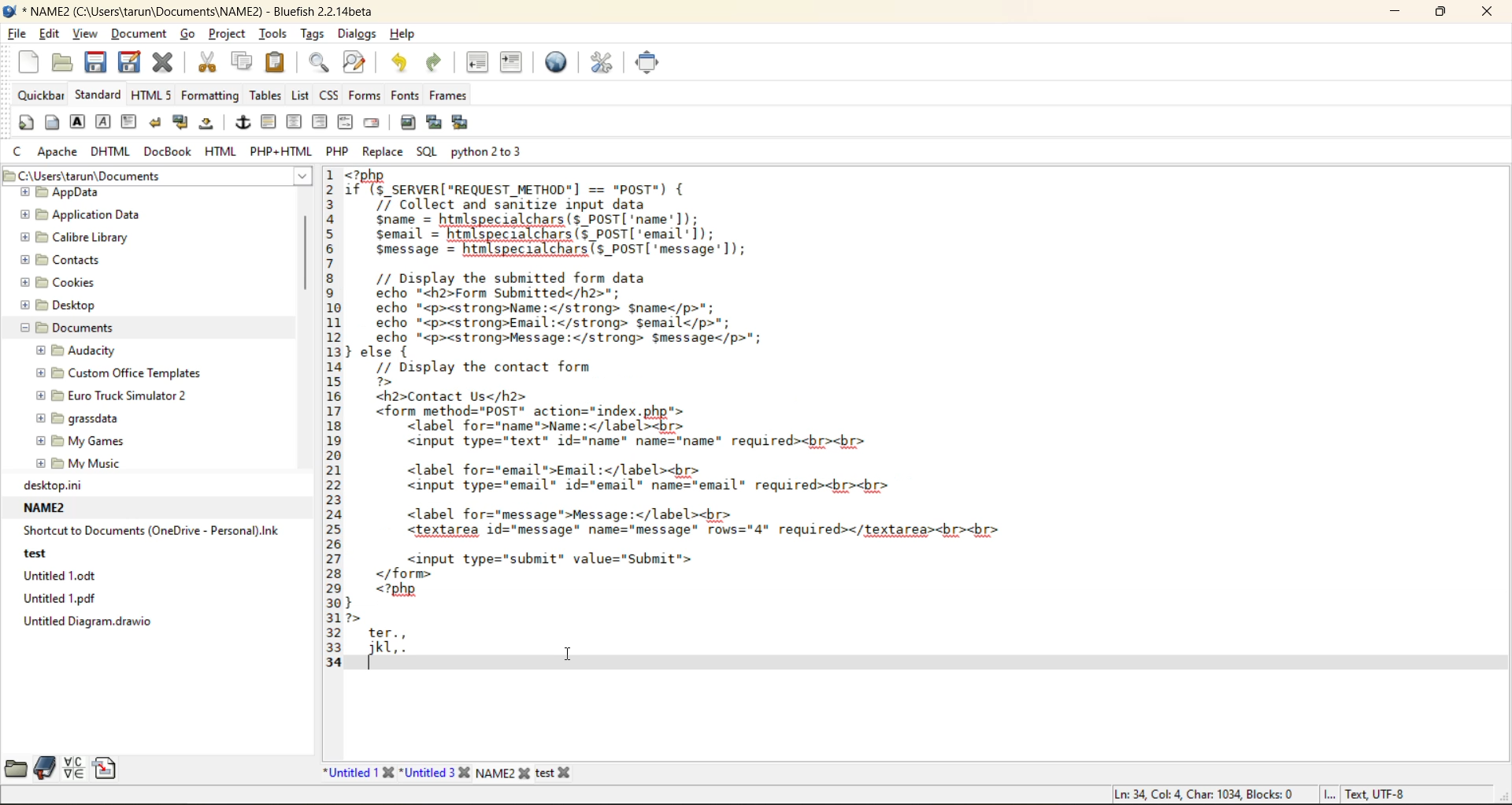 This screenshot has width=1512, height=805. What do you see at coordinates (269, 124) in the screenshot?
I see `horizontal rule` at bounding box center [269, 124].